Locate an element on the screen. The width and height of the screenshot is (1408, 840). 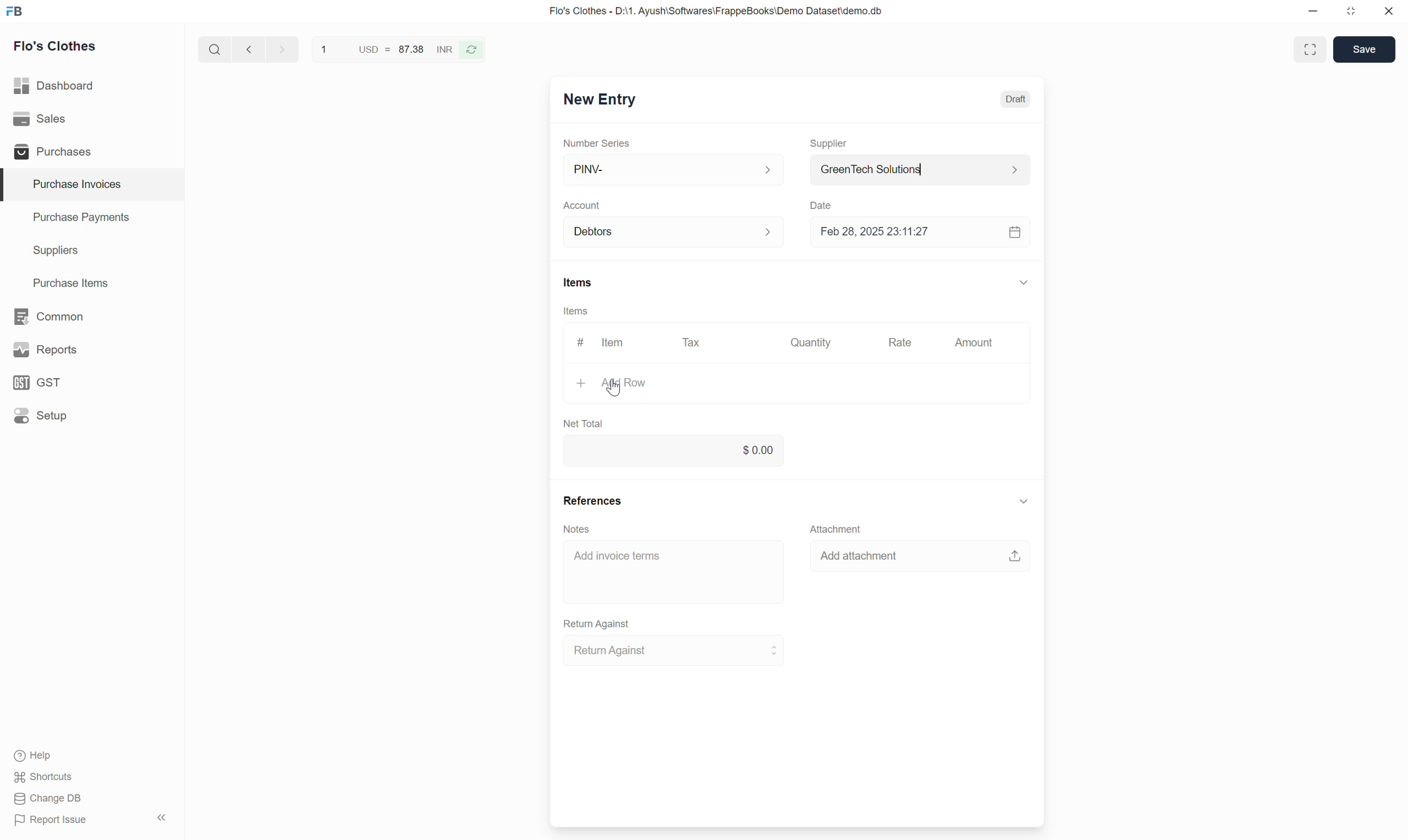
Flo's Clothes - D:\1. Ayush\Softwares\FrappeBooks\Demo Dataset\demo.db is located at coordinates (717, 11).